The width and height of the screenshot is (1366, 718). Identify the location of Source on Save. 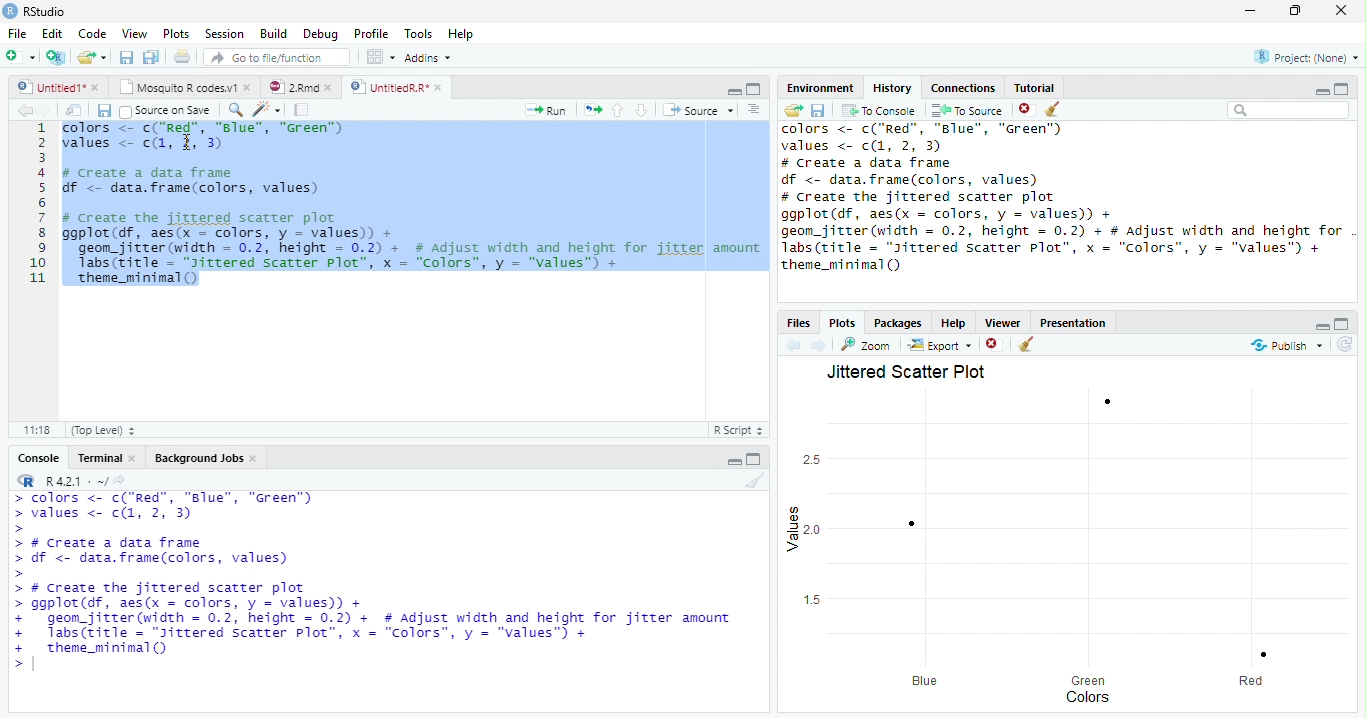
(167, 111).